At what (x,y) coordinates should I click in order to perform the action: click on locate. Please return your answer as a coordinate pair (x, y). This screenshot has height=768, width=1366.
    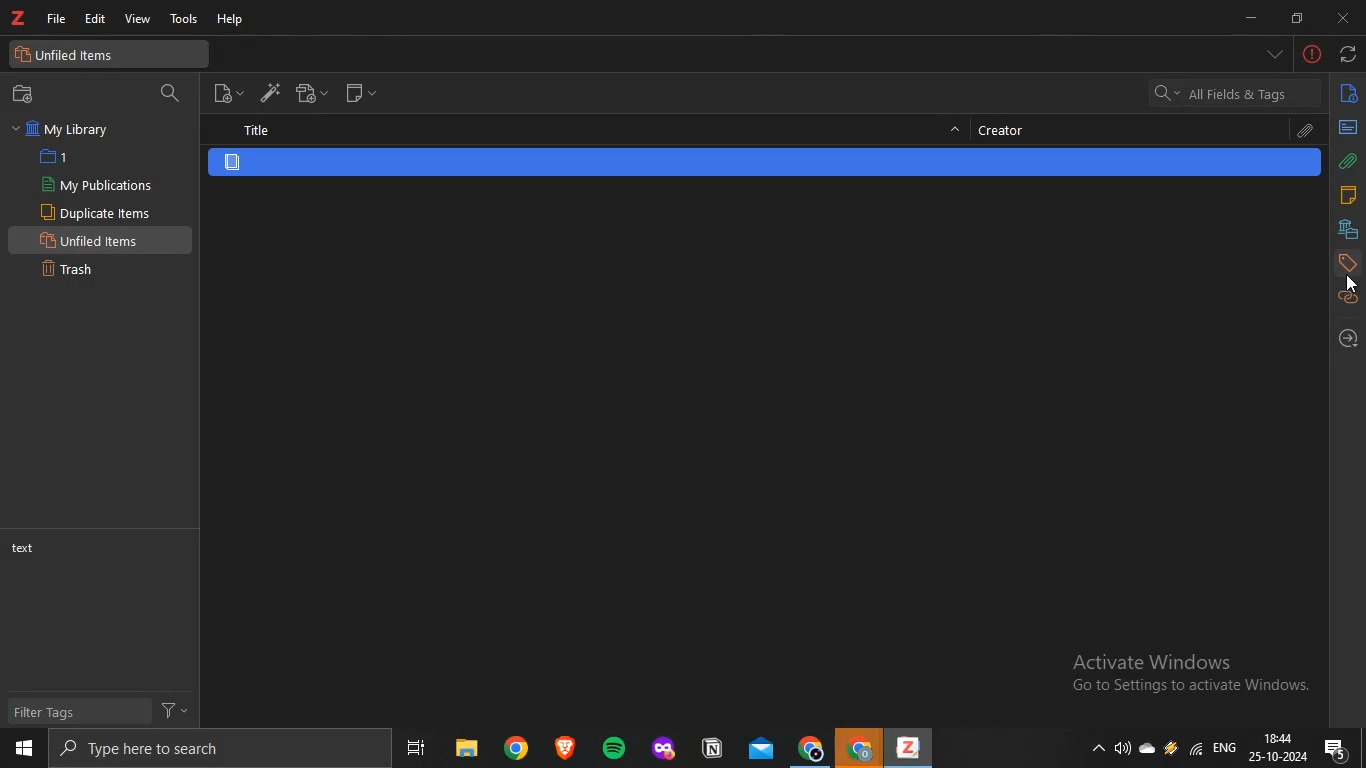
    Looking at the image, I should click on (1348, 337).